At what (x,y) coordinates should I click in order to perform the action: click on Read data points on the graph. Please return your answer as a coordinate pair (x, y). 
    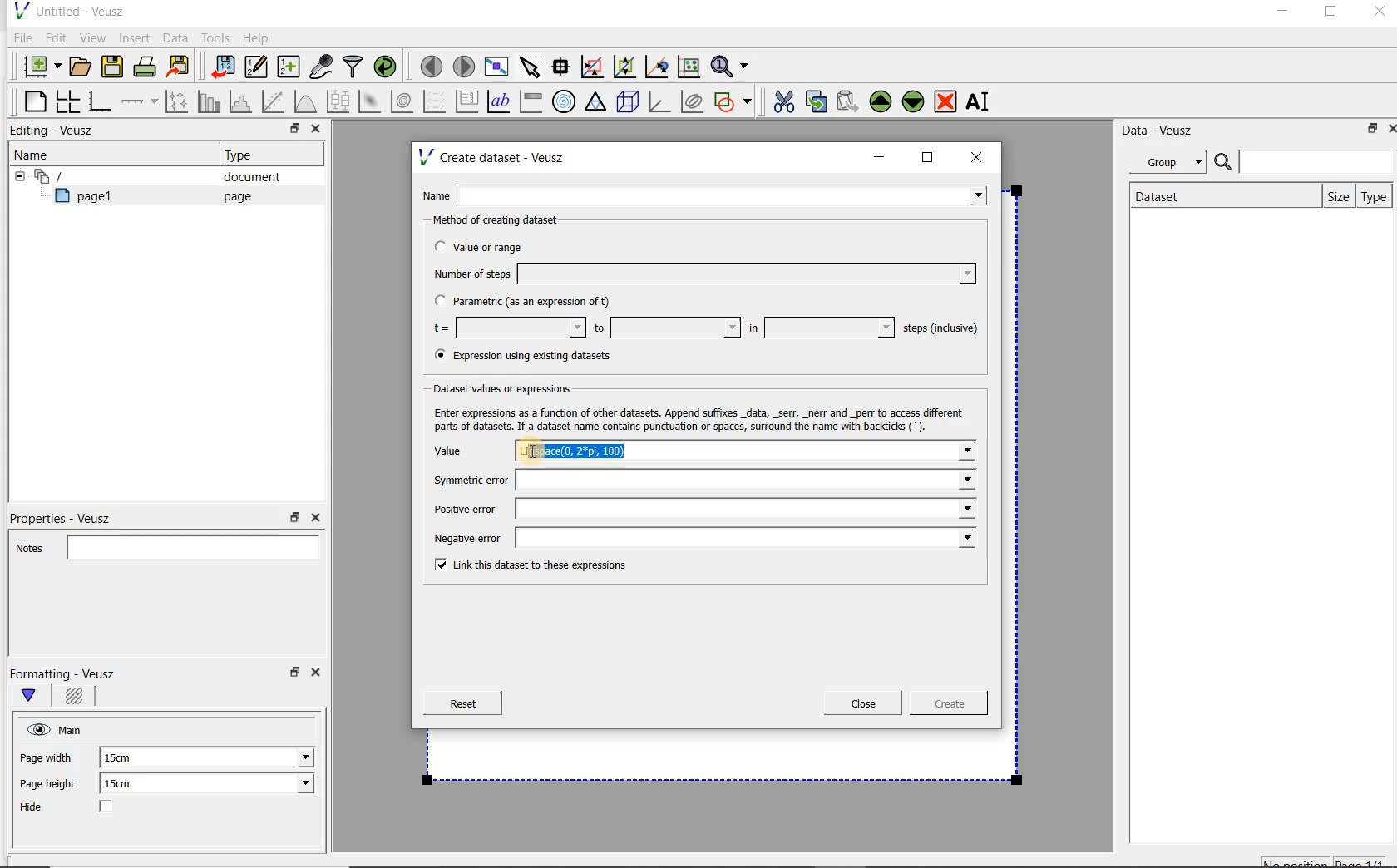
    Looking at the image, I should click on (563, 67).